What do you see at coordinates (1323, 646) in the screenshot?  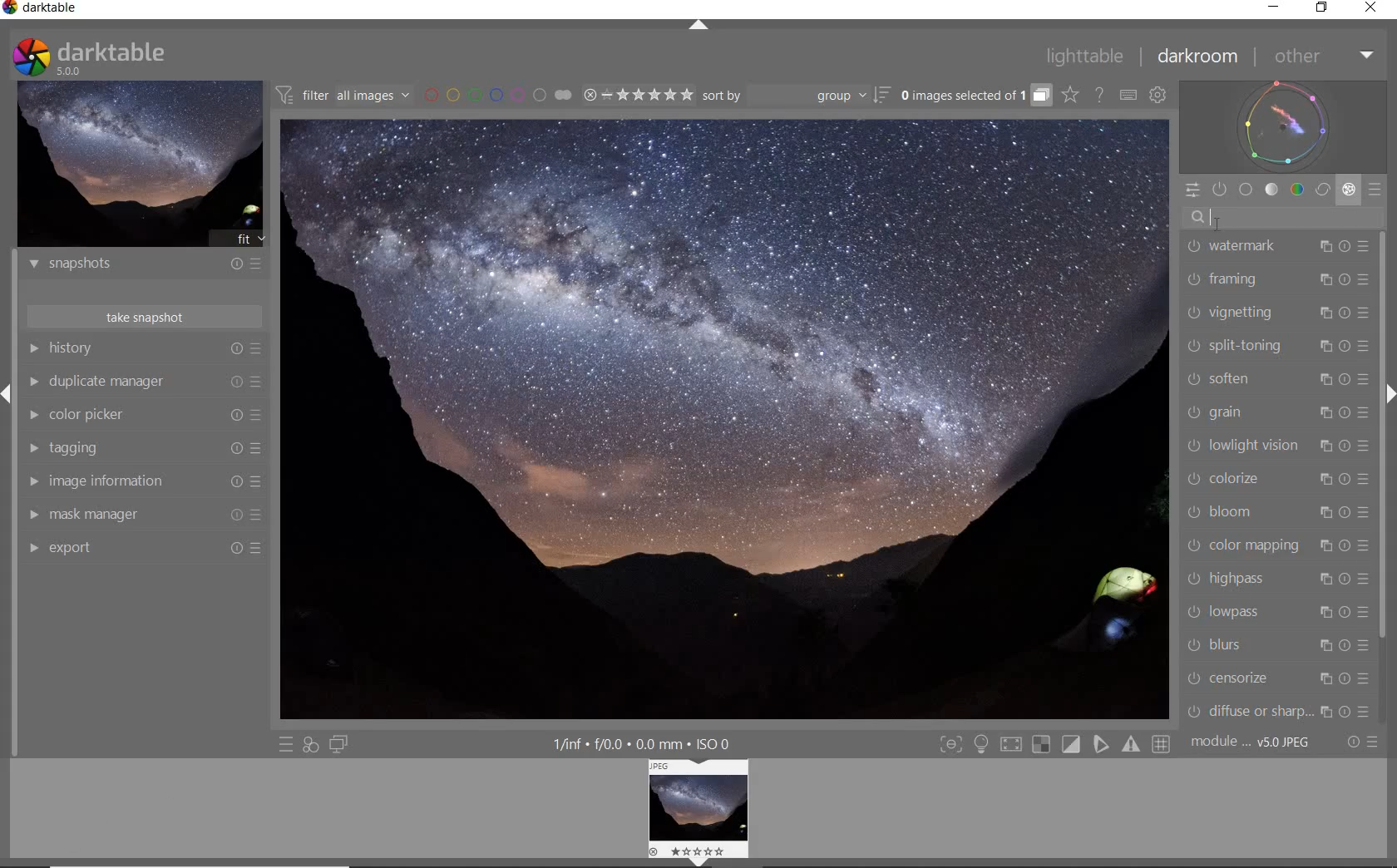 I see `multiple instance actions` at bounding box center [1323, 646].